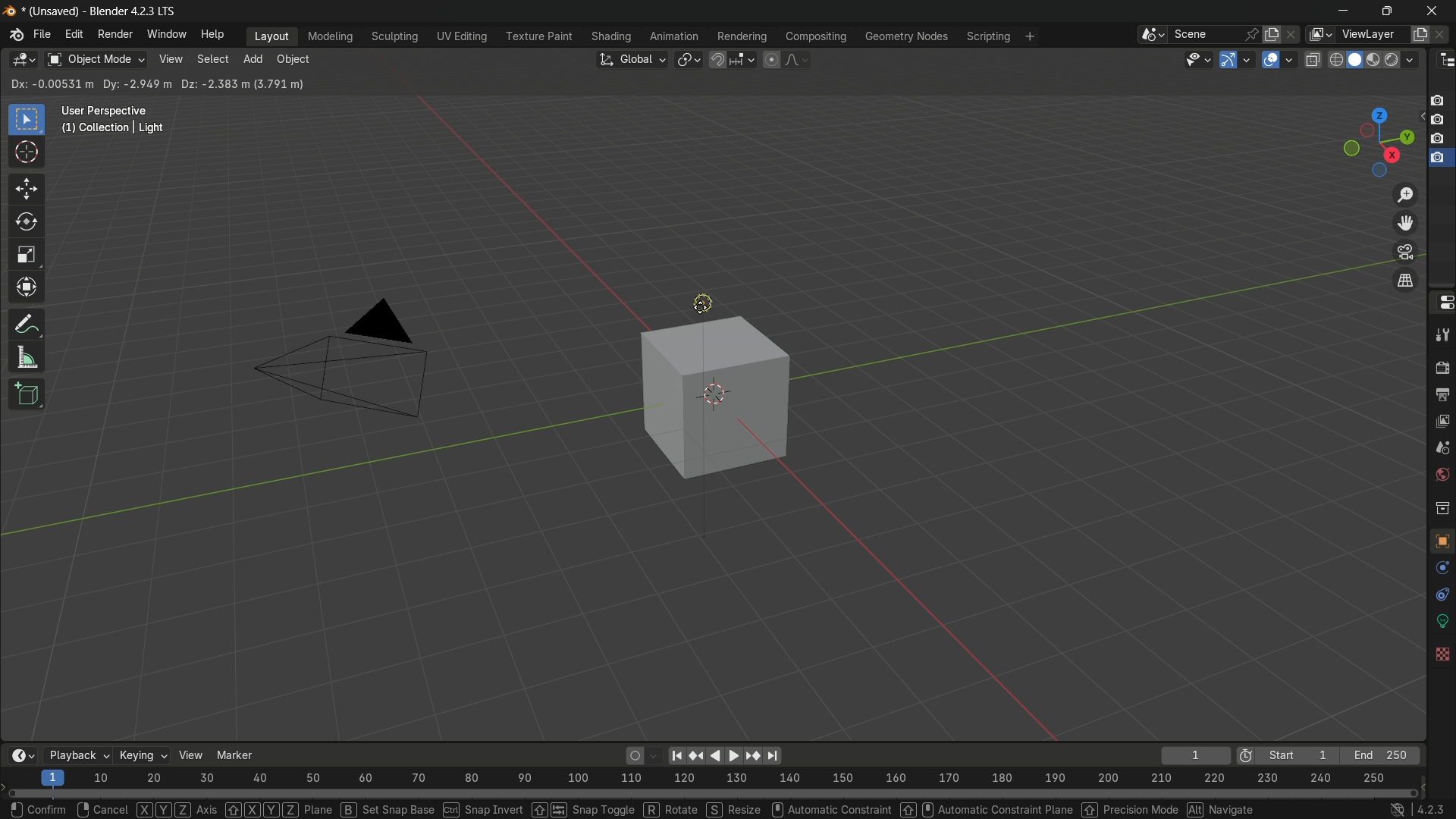  I want to click on editor type, so click(1442, 61).